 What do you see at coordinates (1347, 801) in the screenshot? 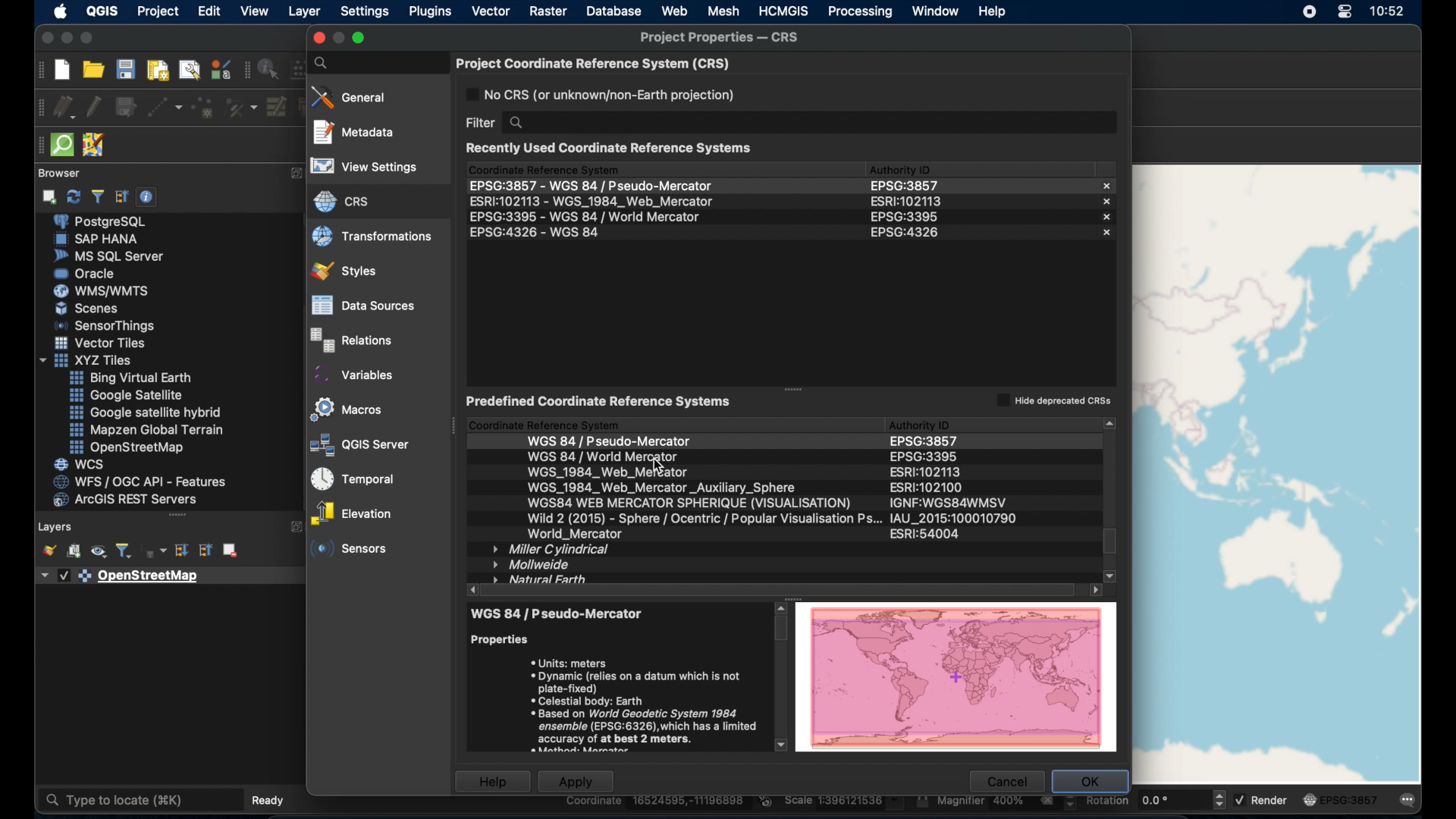
I see `EPSG: 3857` at bounding box center [1347, 801].